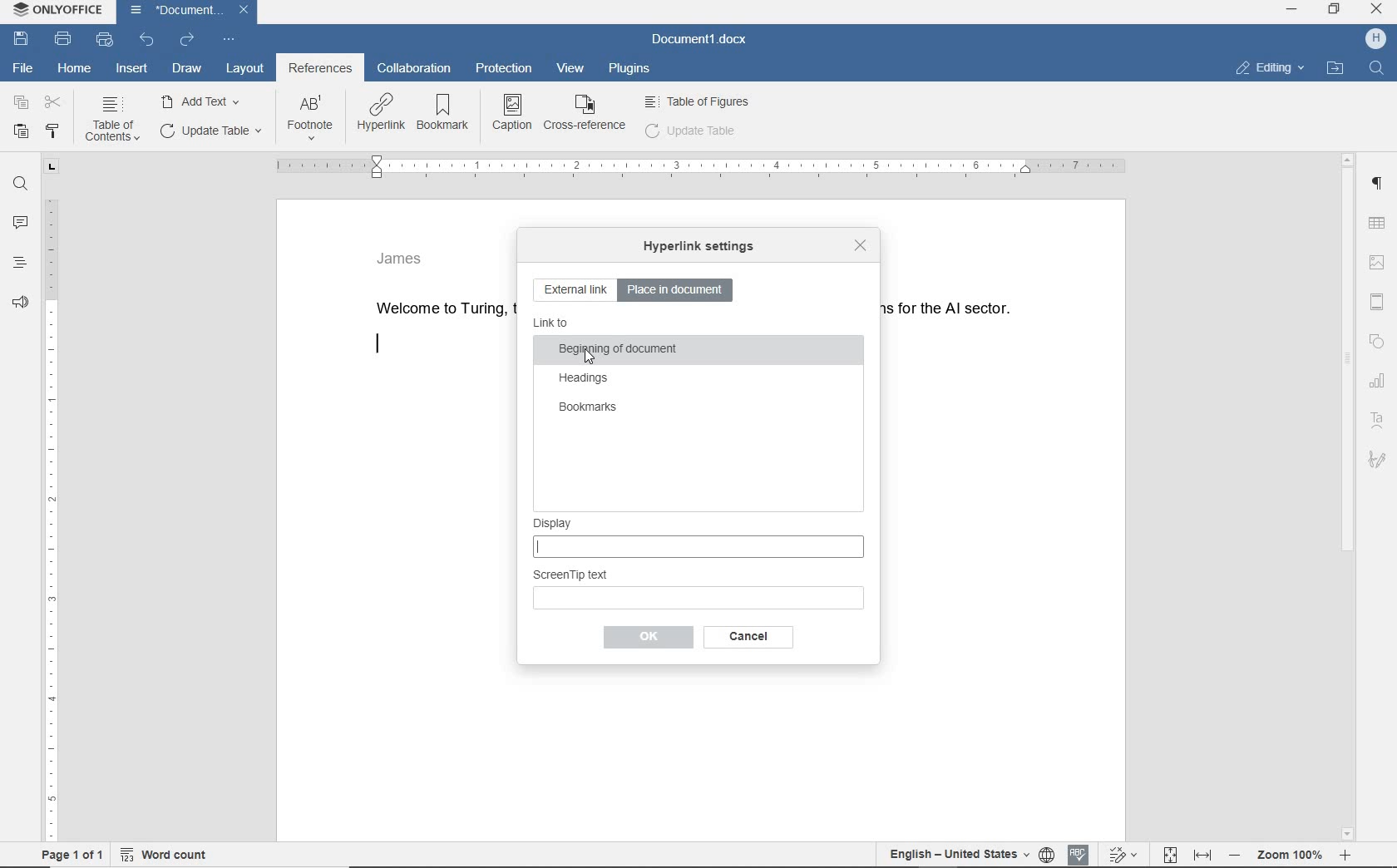 The image size is (1397, 868). Describe the element at coordinates (698, 167) in the screenshot. I see `ruler` at that location.